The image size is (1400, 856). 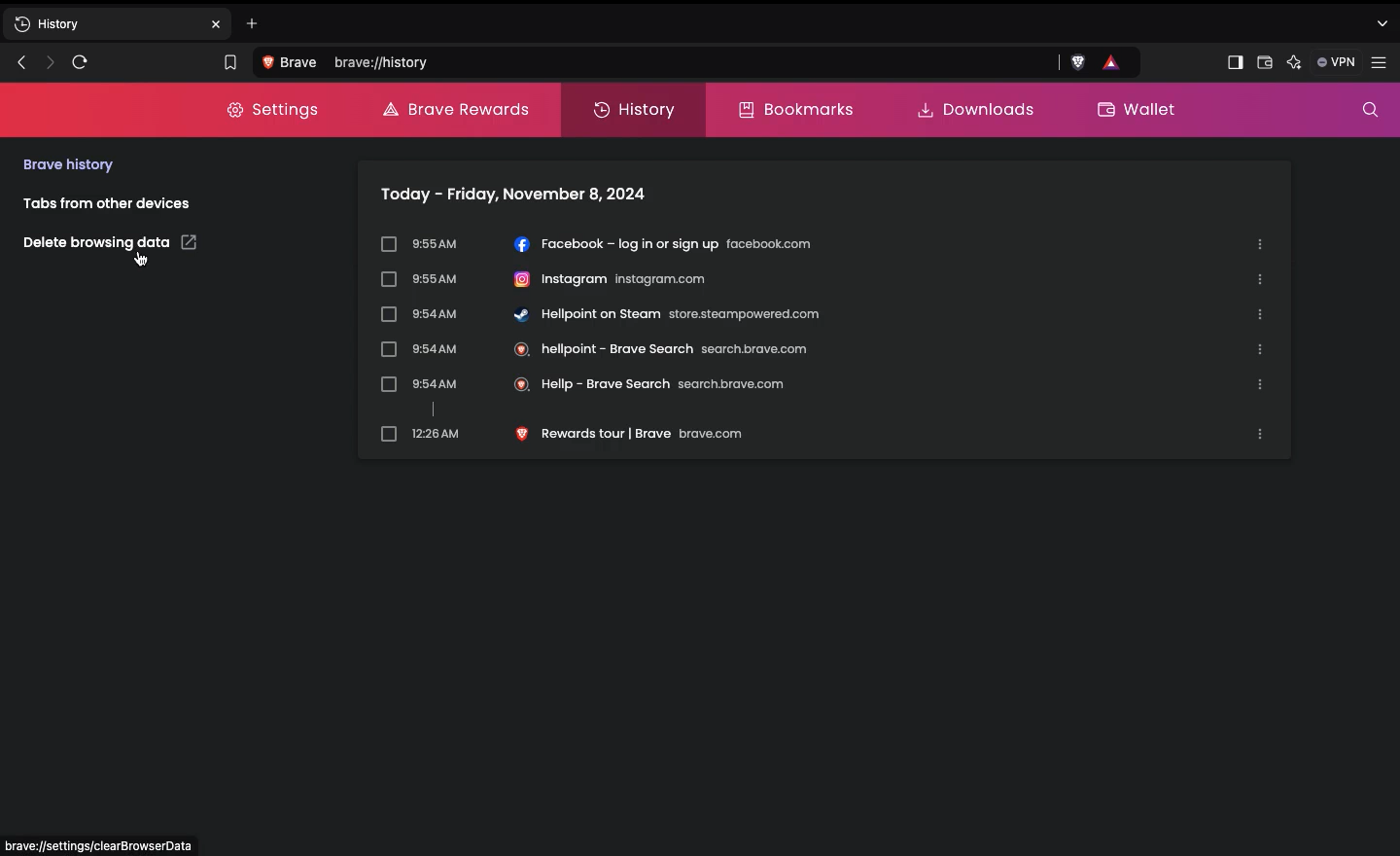 I want to click on Hellpoint-brave search search brave.com, so click(x=817, y=351).